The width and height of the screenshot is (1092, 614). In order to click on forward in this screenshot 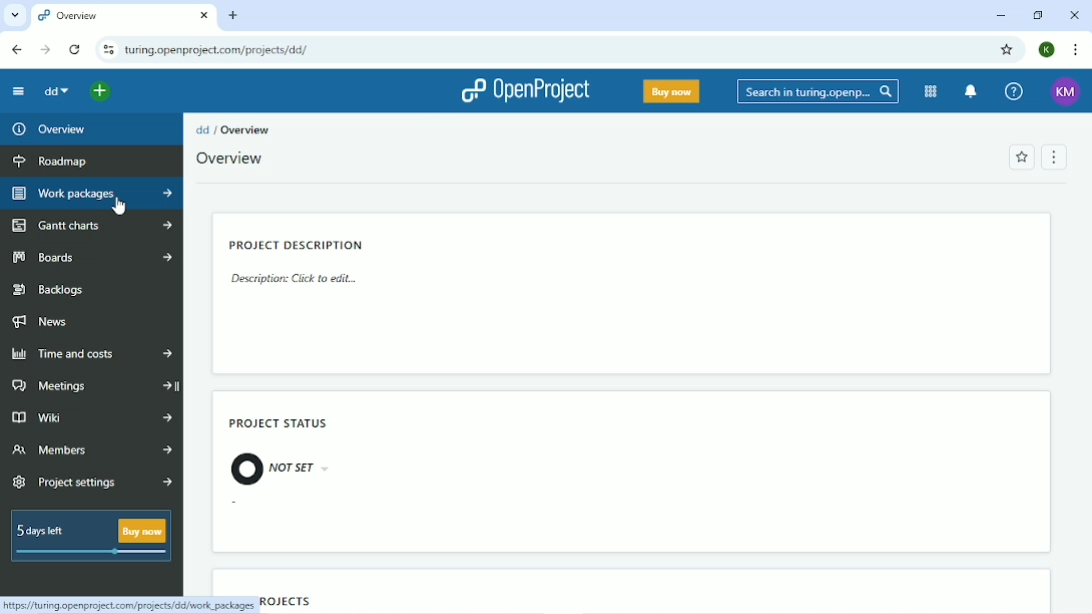, I will do `click(42, 50)`.